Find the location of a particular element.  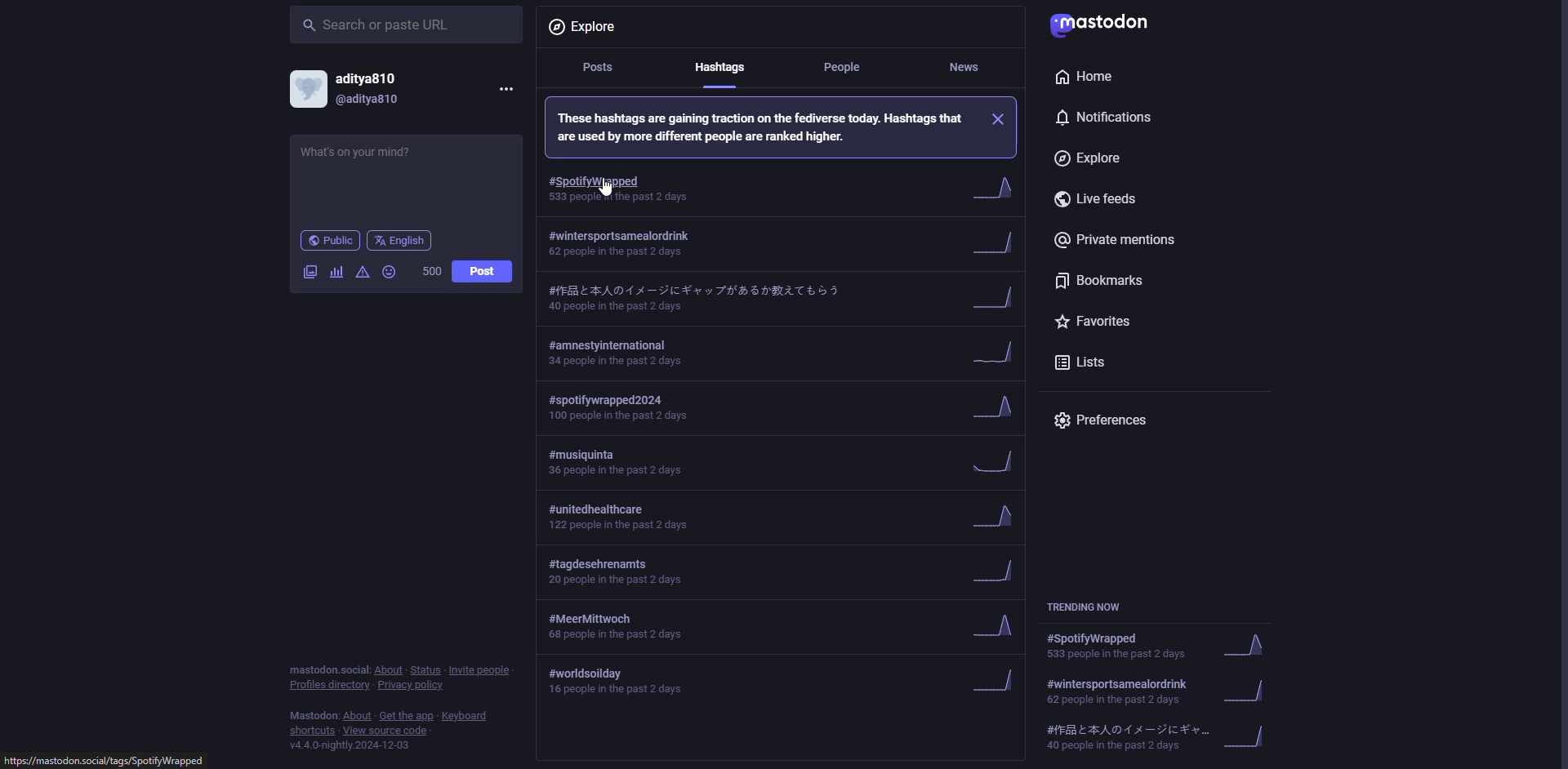

advanced is located at coordinates (363, 272).